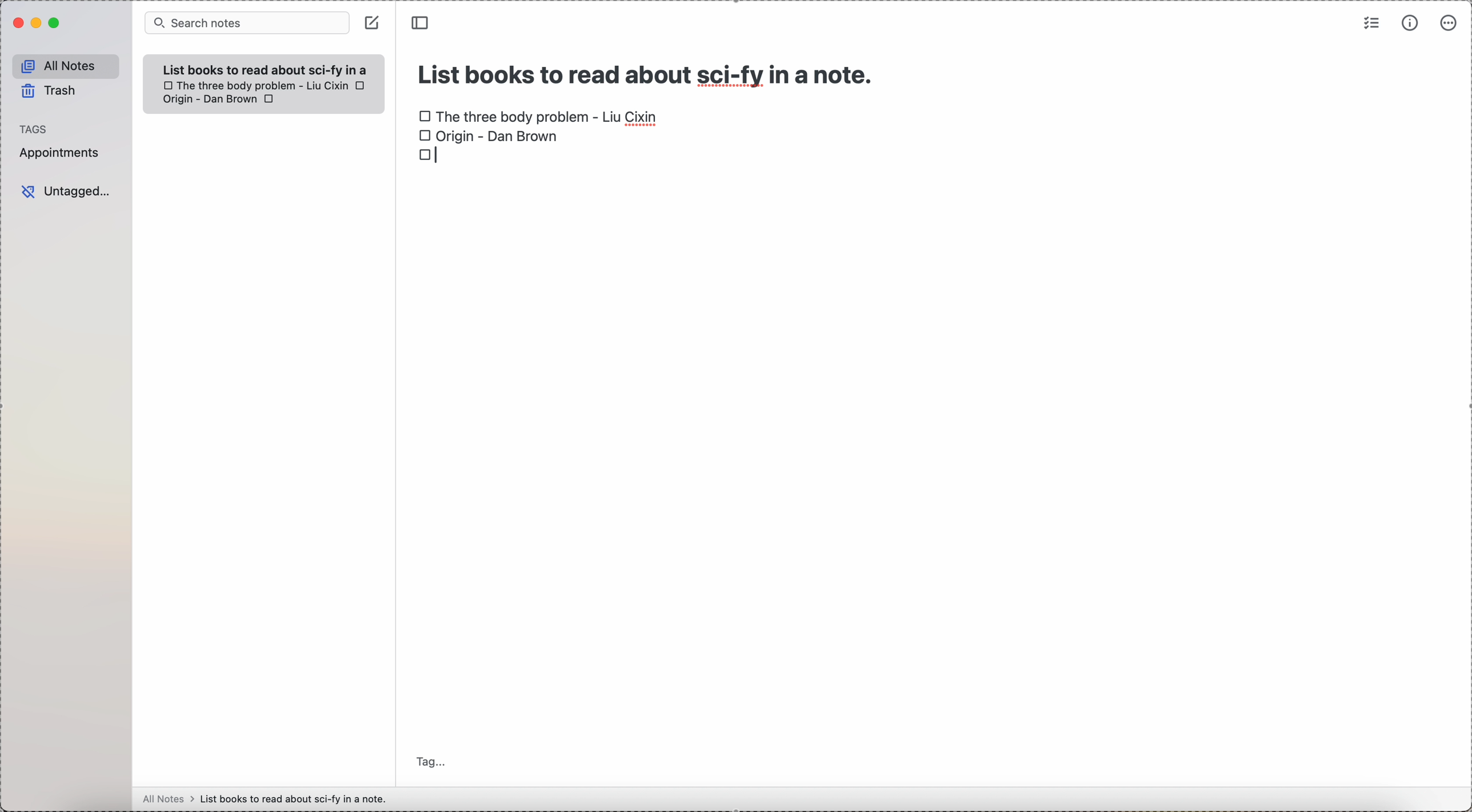 The width and height of the screenshot is (1472, 812). Describe the element at coordinates (50, 91) in the screenshot. I see `trash` at that location.